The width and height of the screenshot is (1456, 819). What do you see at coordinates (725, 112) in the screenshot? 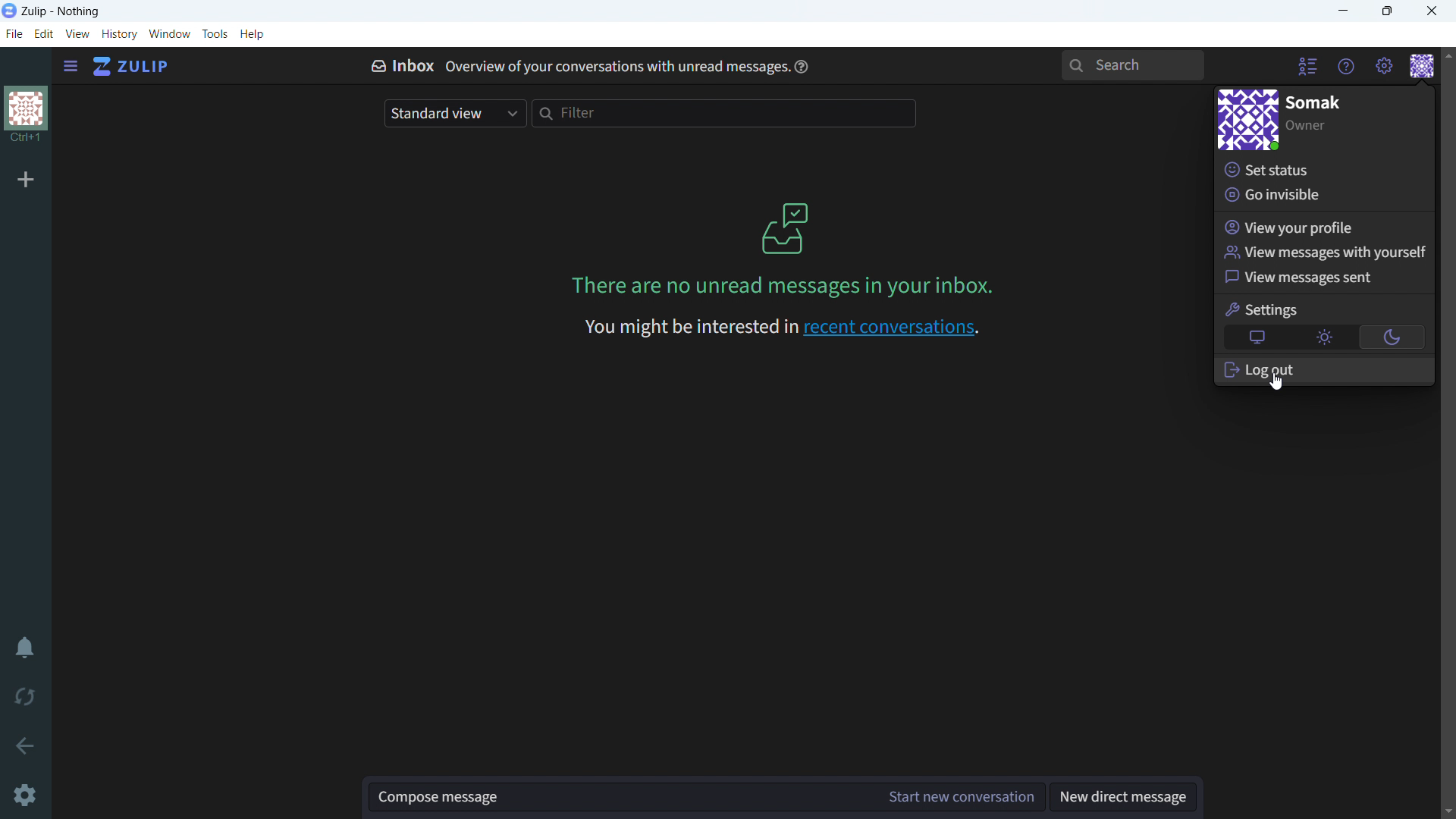
I see `filter` at bounding box center [725, 112].